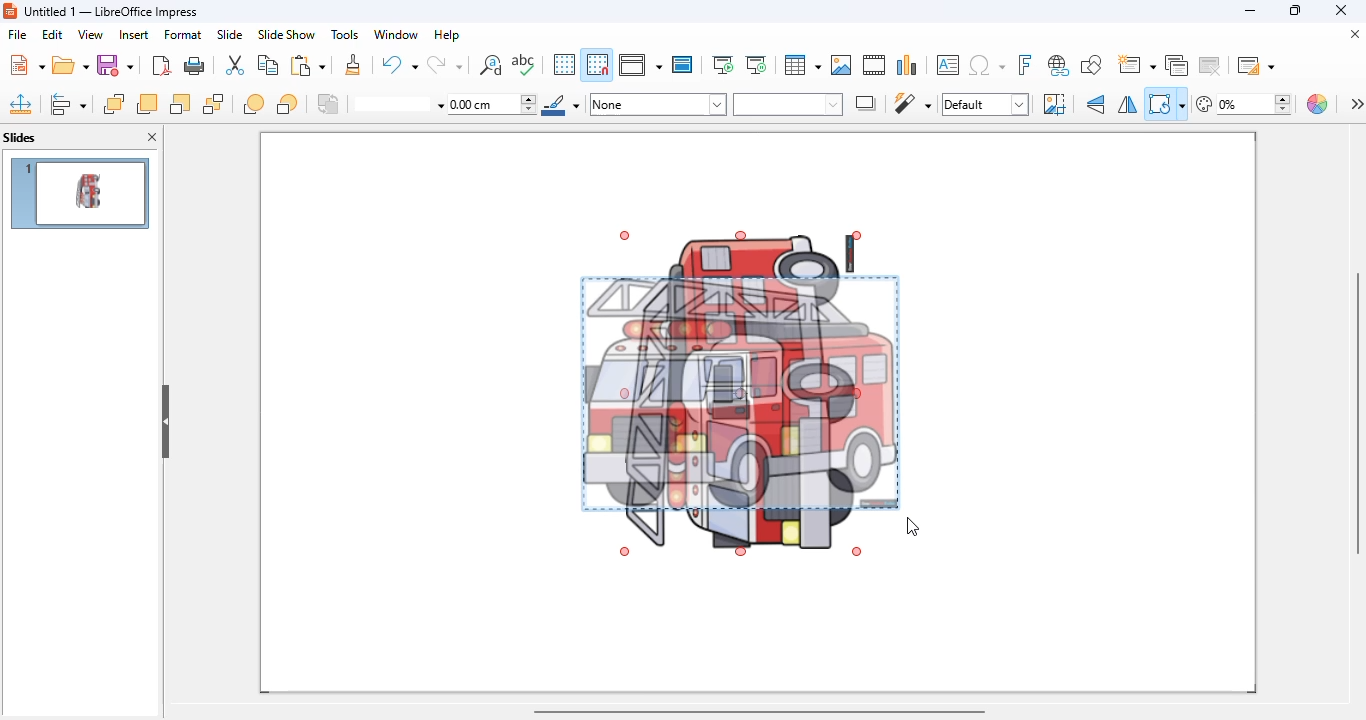 The width and height of the screenshot is (1366, 720). What do you see at coordinates (841, 65) in the screenshot?
I see `insert image` at bounding box center [841, 65].